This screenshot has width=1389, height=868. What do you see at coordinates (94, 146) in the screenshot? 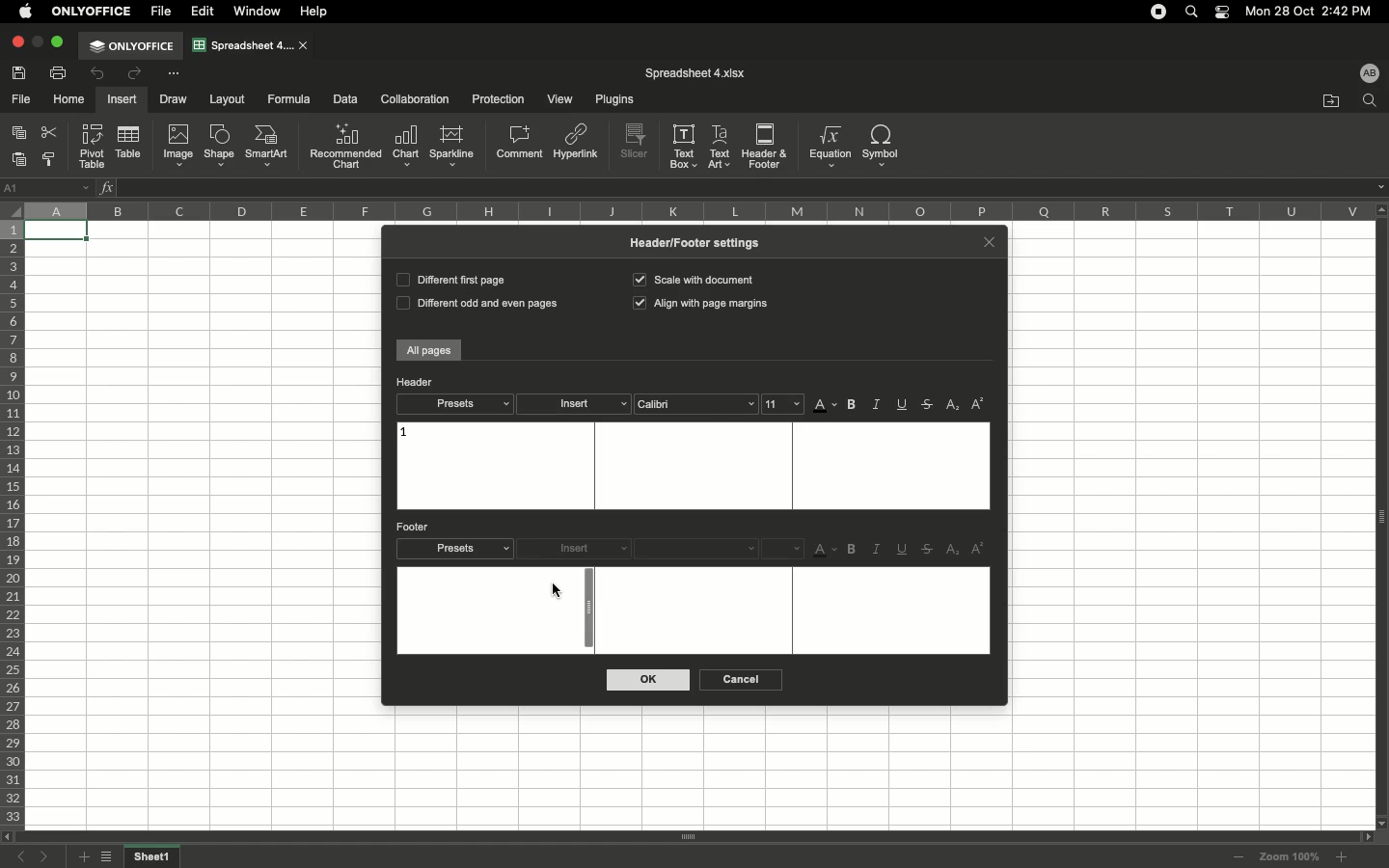
I see `Pivot table` at bounding box center [94, 146].